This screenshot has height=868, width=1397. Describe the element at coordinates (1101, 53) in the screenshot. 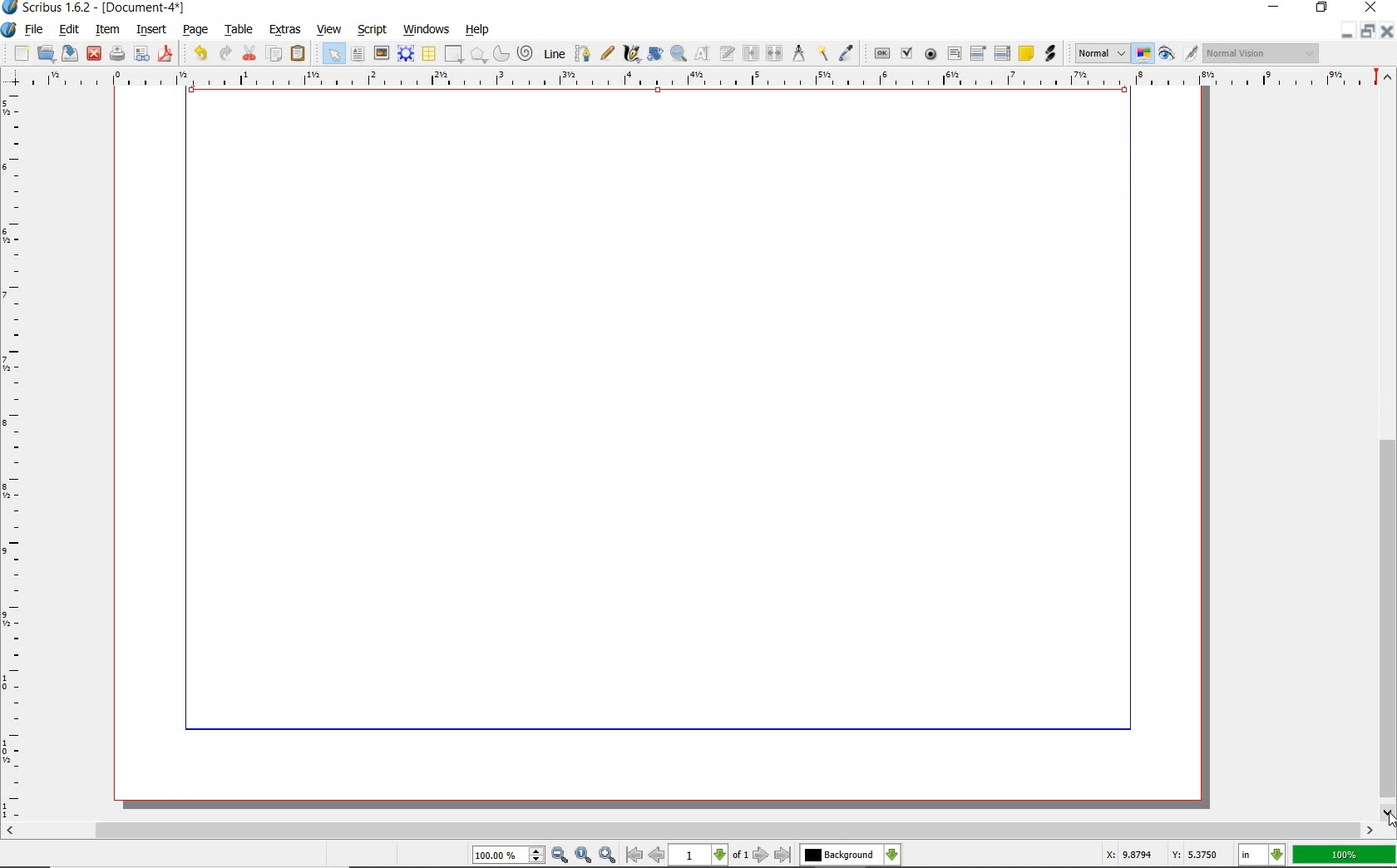

I see `Normal` at that location.